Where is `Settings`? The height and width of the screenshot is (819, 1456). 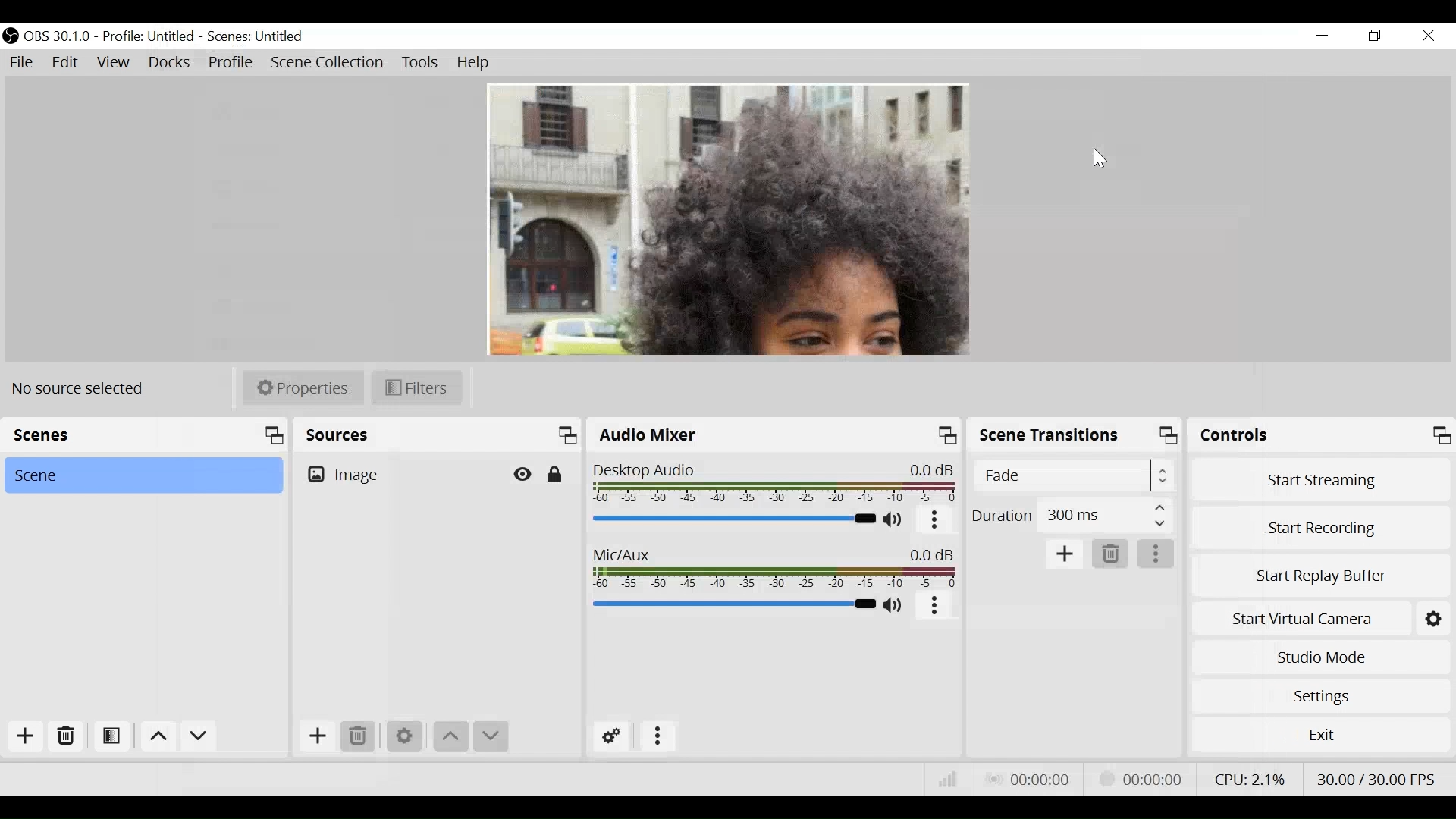
Settings is located at coordinates (1321, 696).